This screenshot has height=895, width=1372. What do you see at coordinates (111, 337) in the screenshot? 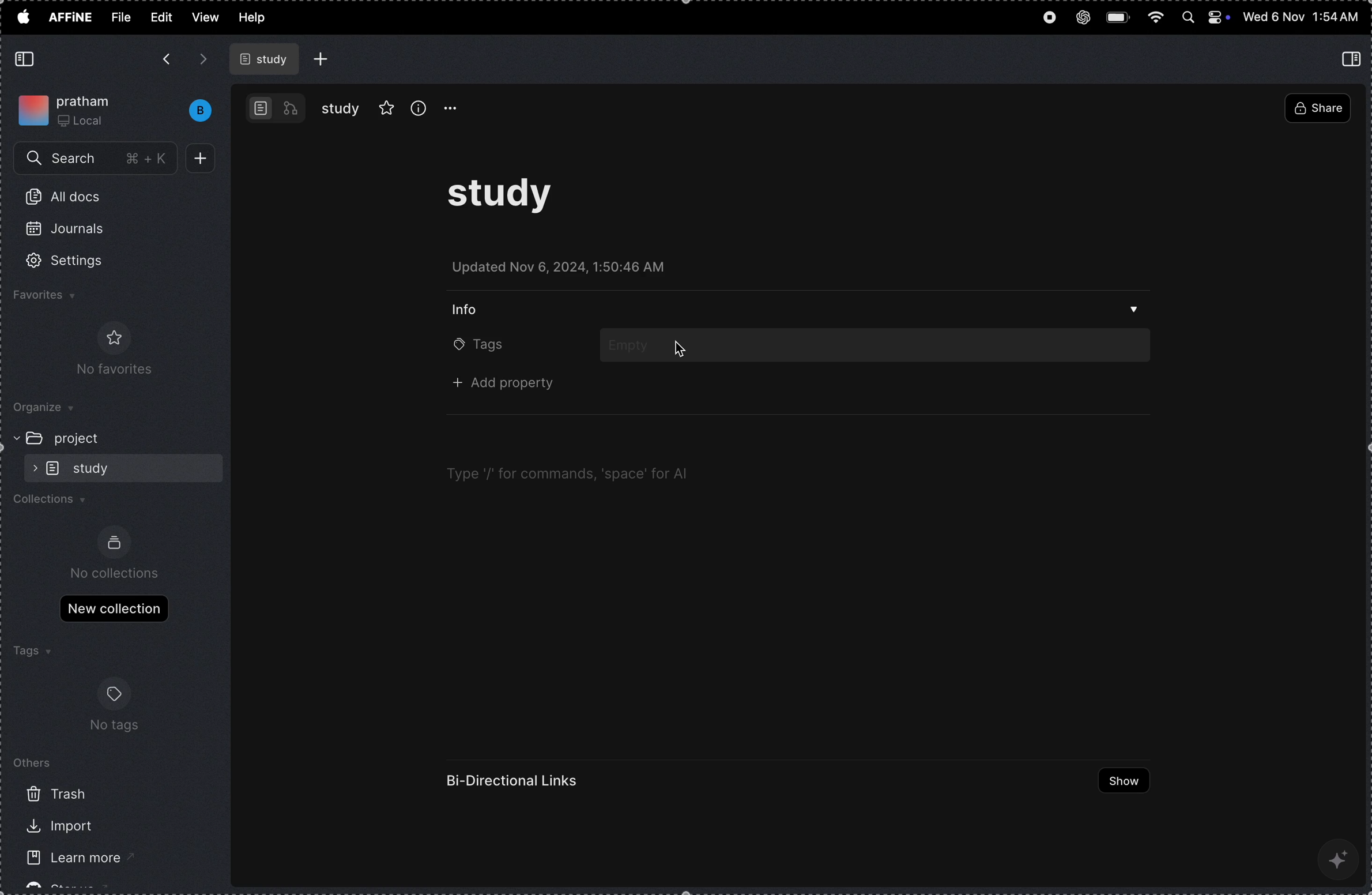
I see `favorite logo` at bounding box center [111, 337].